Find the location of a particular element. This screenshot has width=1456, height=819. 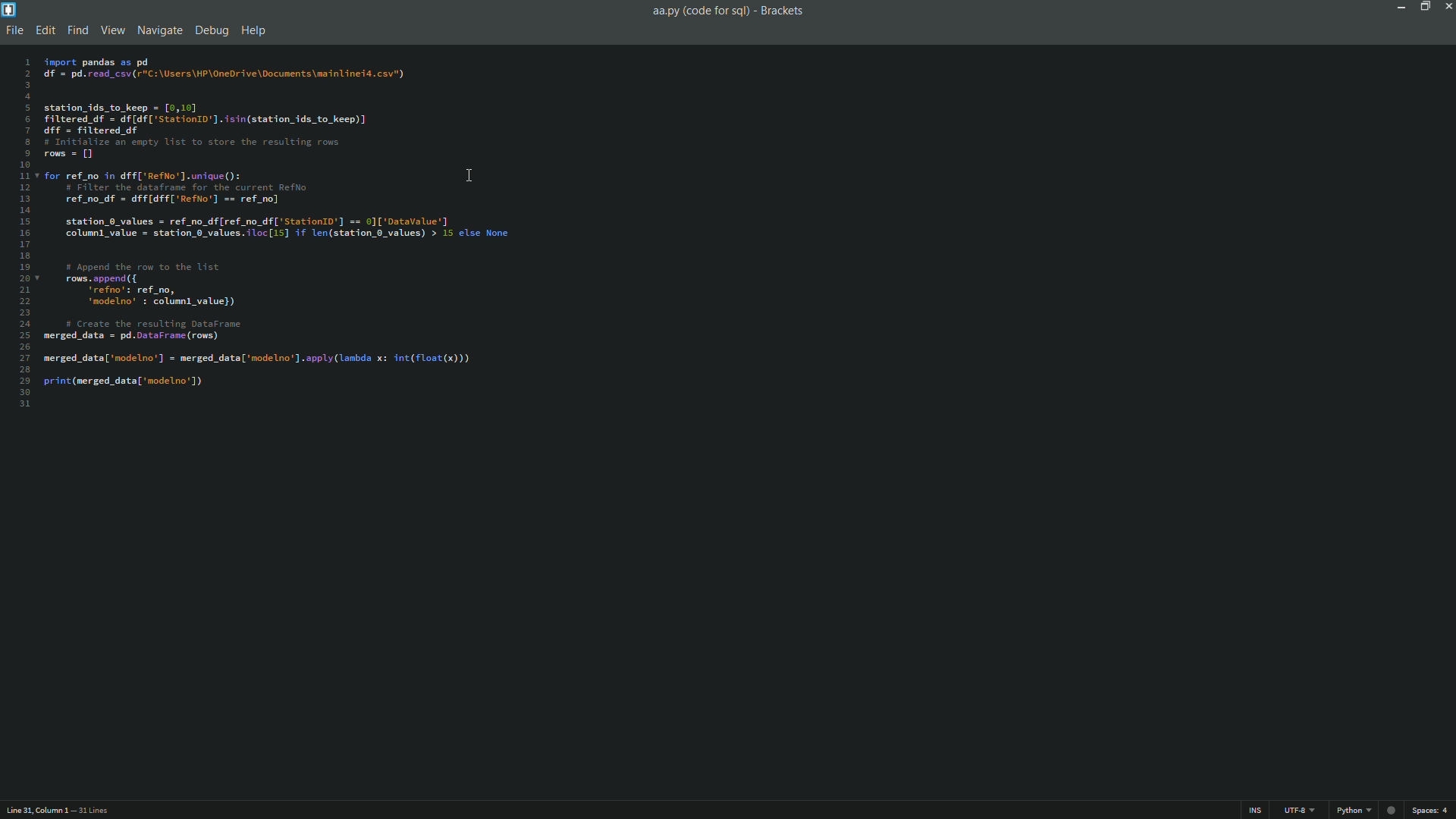

extension manager is located at coordinates (1443, 91).